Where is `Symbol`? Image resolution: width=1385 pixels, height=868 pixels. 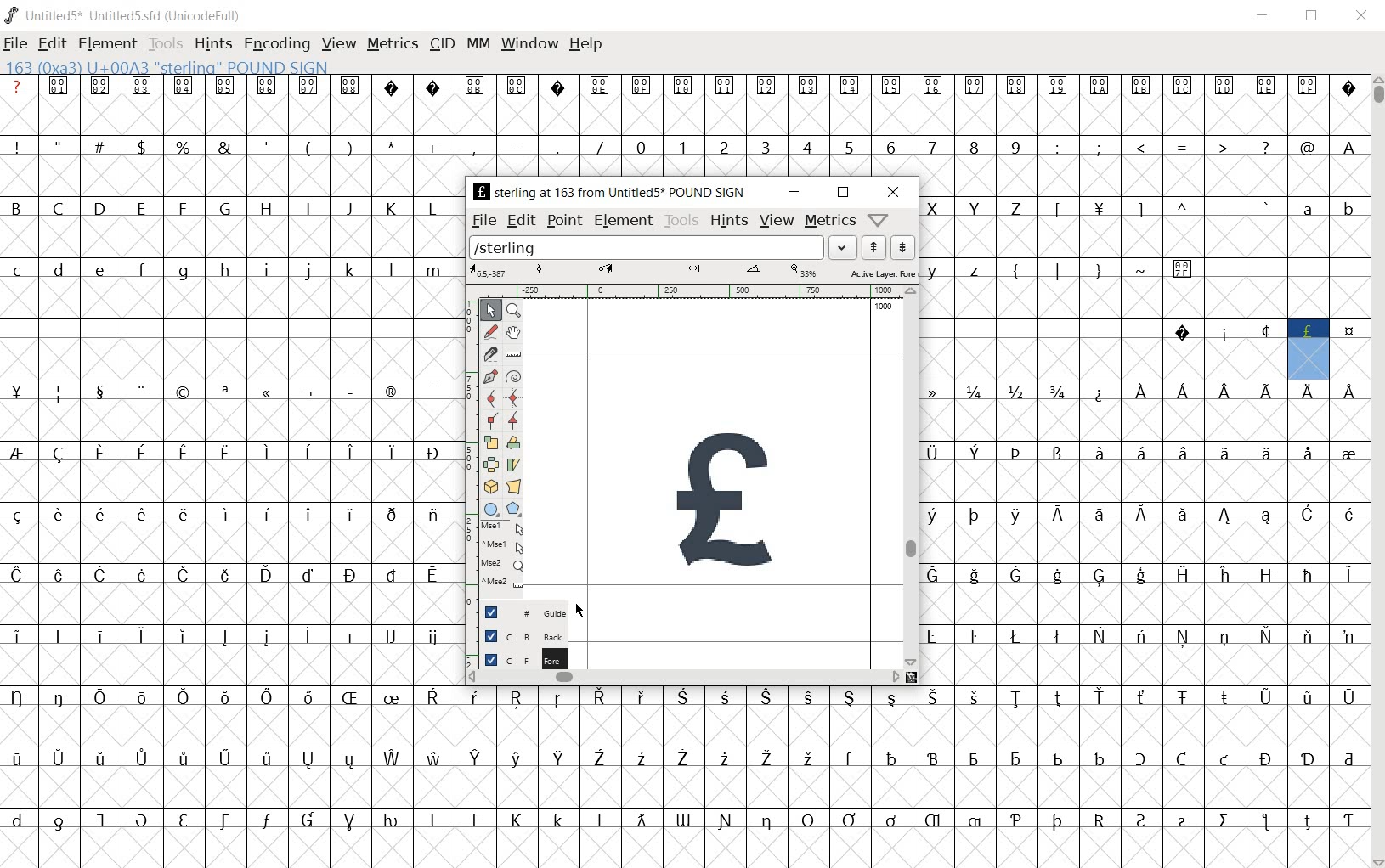
Symbol is located at coordinates (1058, 638).